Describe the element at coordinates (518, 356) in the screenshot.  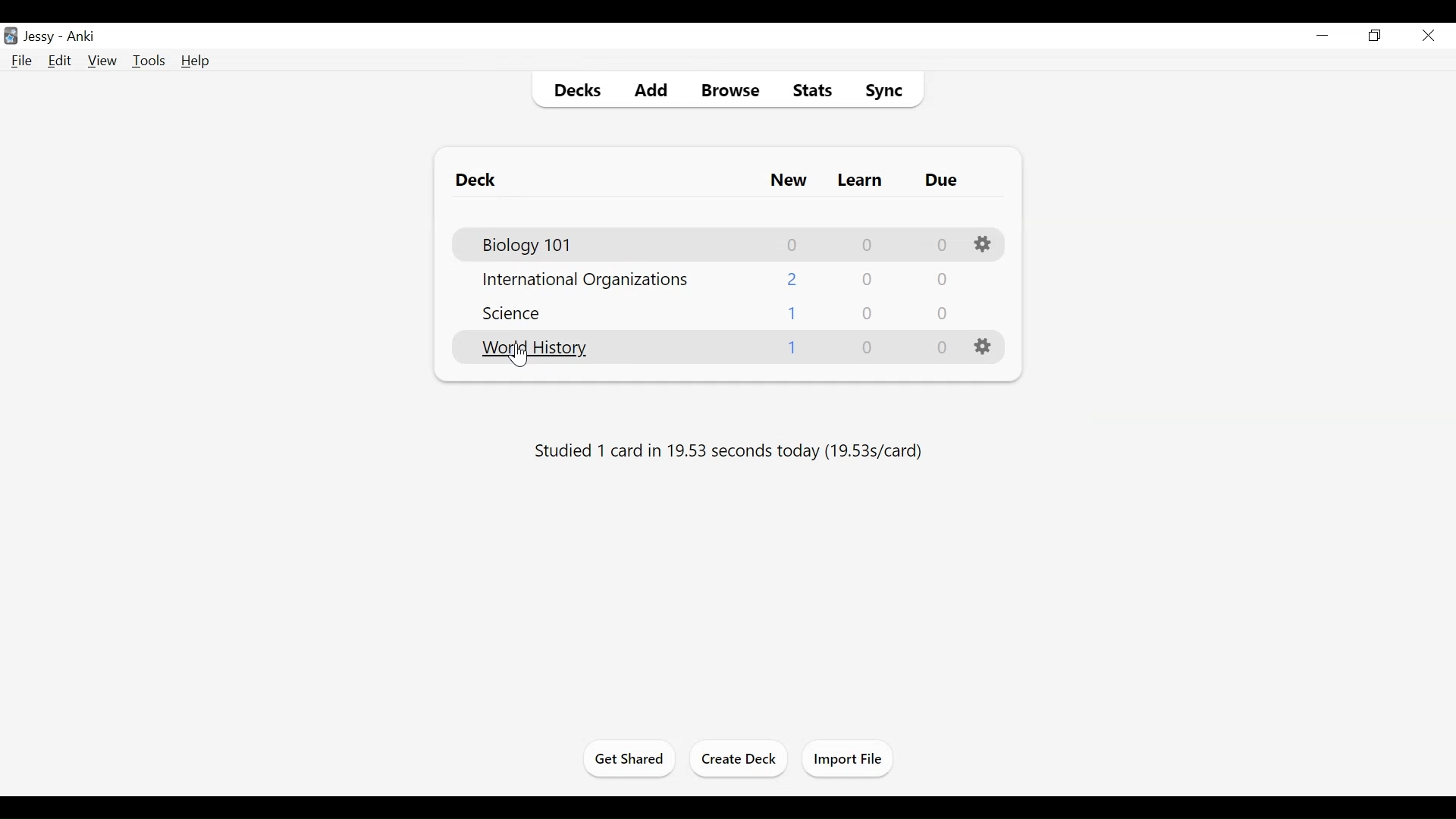
I see `Cursor` at that location.